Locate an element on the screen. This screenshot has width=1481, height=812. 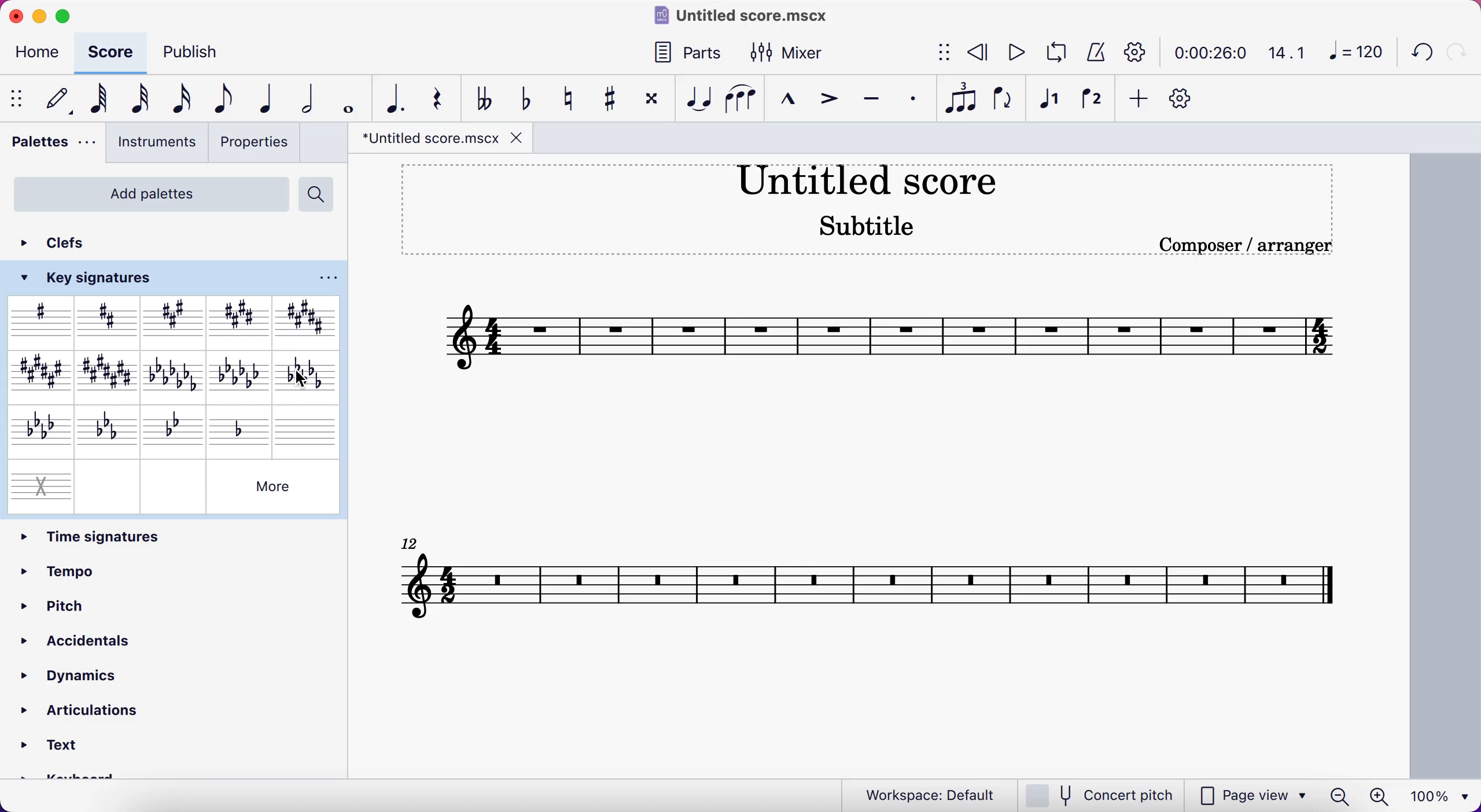
toggle natural is located at coordinates (571, 101).